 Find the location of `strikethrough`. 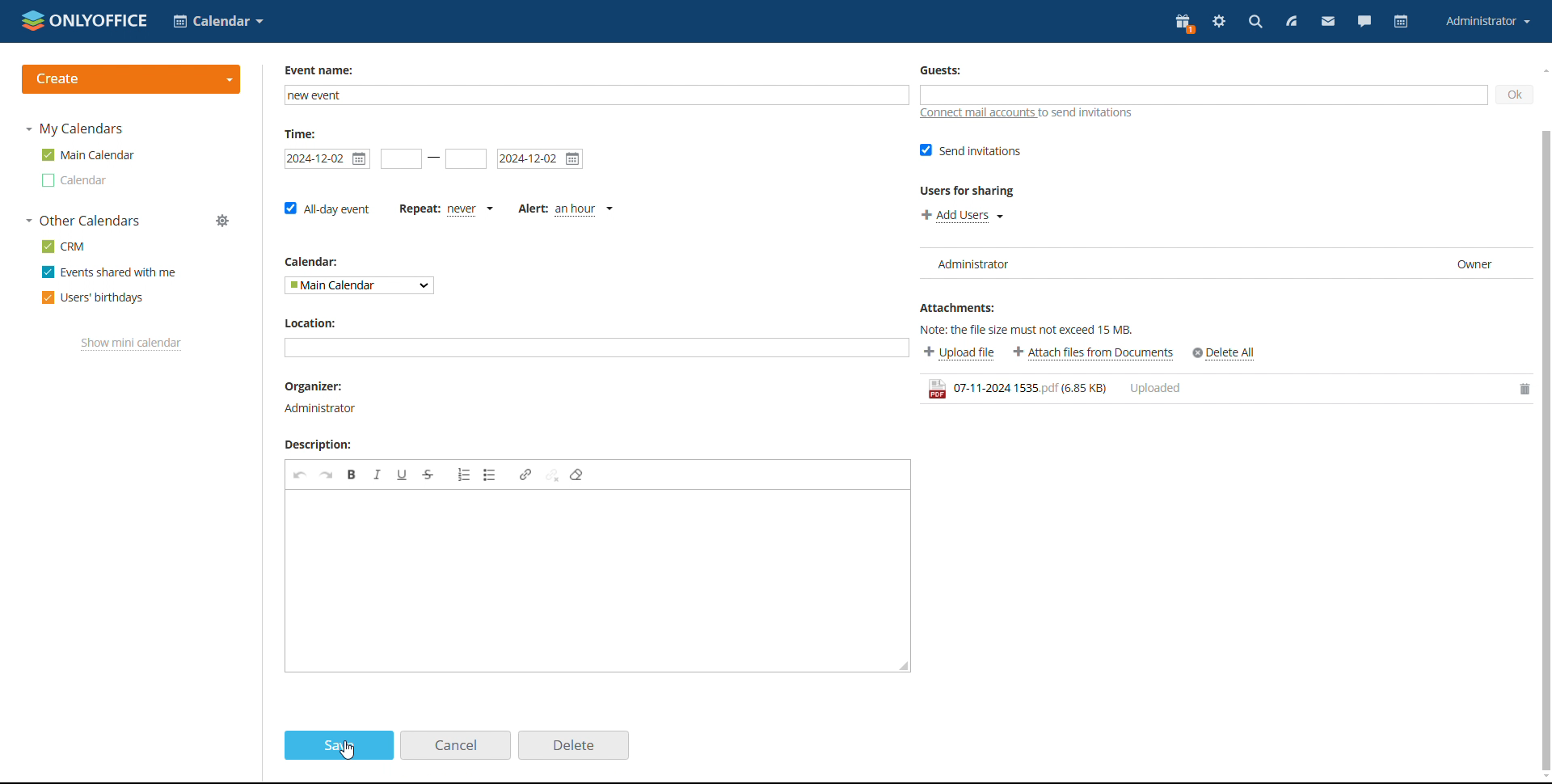

strikethrough is located at coordinates (429, 473).